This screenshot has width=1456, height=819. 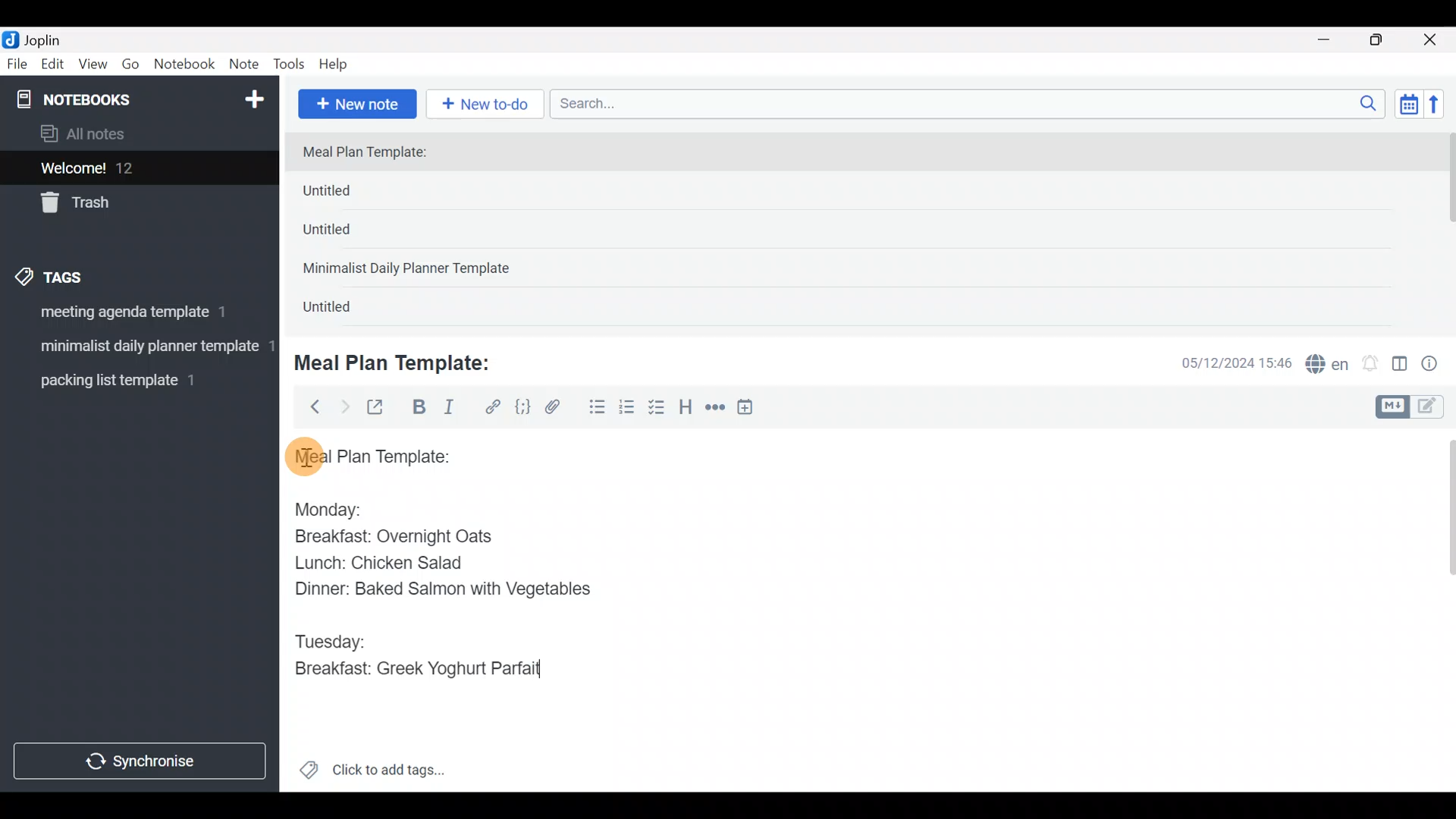 What do you see at coordinates (715, 409) in the screenshot?
I see `Horizontal rule` at bounding box center [715, 409].